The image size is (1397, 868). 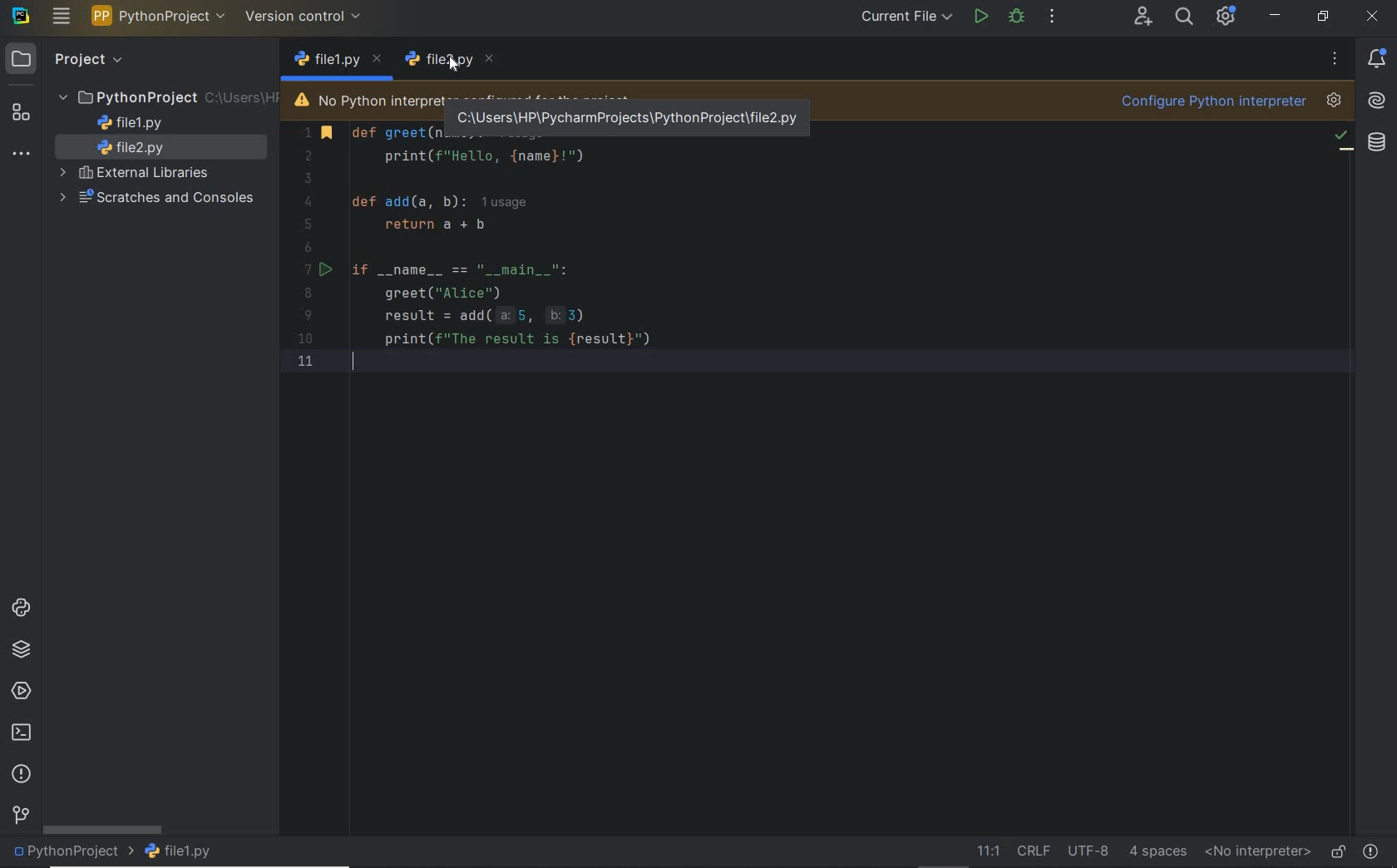 I want to click on close, so click(x=378, y=58).